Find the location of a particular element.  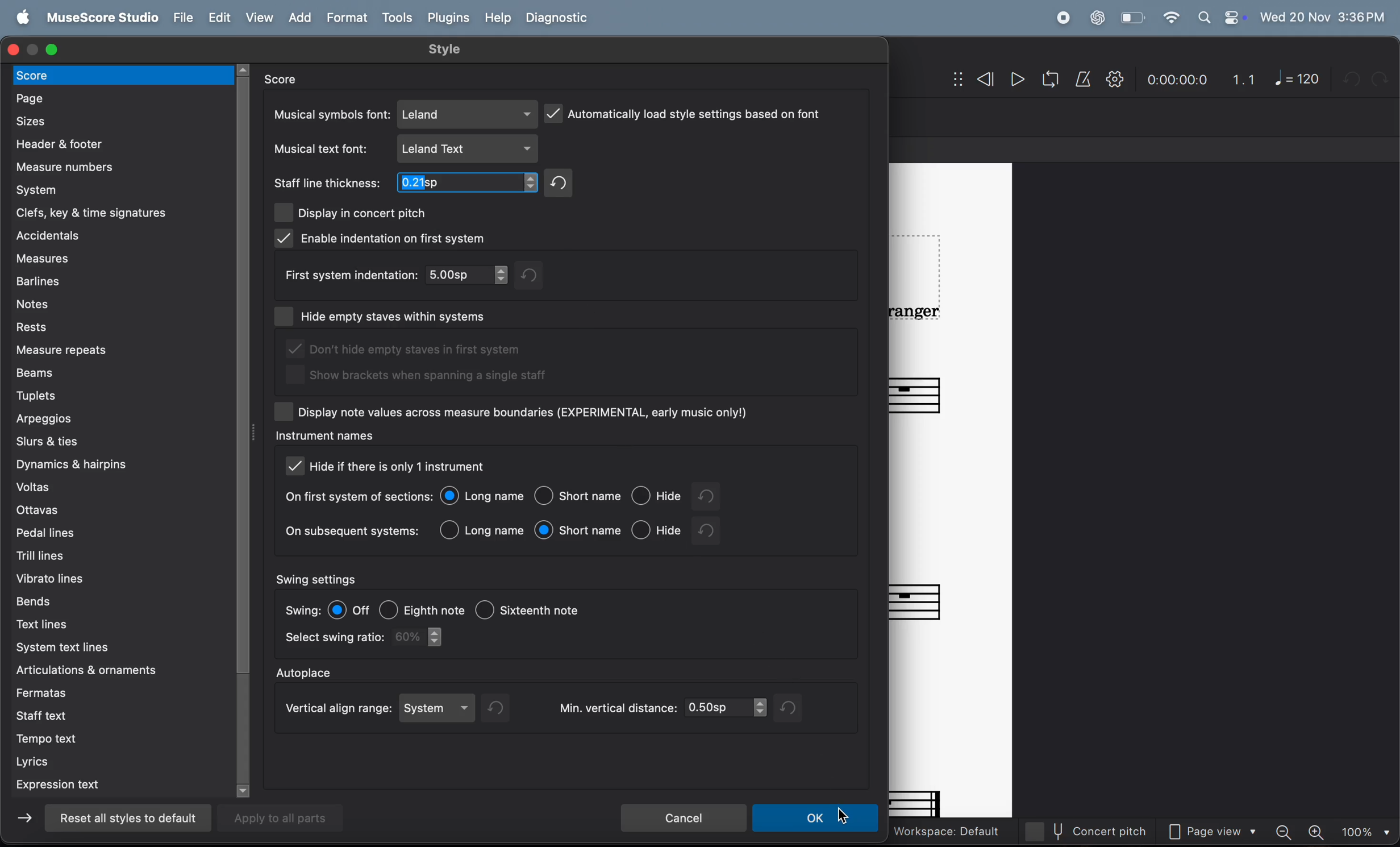

dont hide empty staves per system is located at coordinates (414, 350).